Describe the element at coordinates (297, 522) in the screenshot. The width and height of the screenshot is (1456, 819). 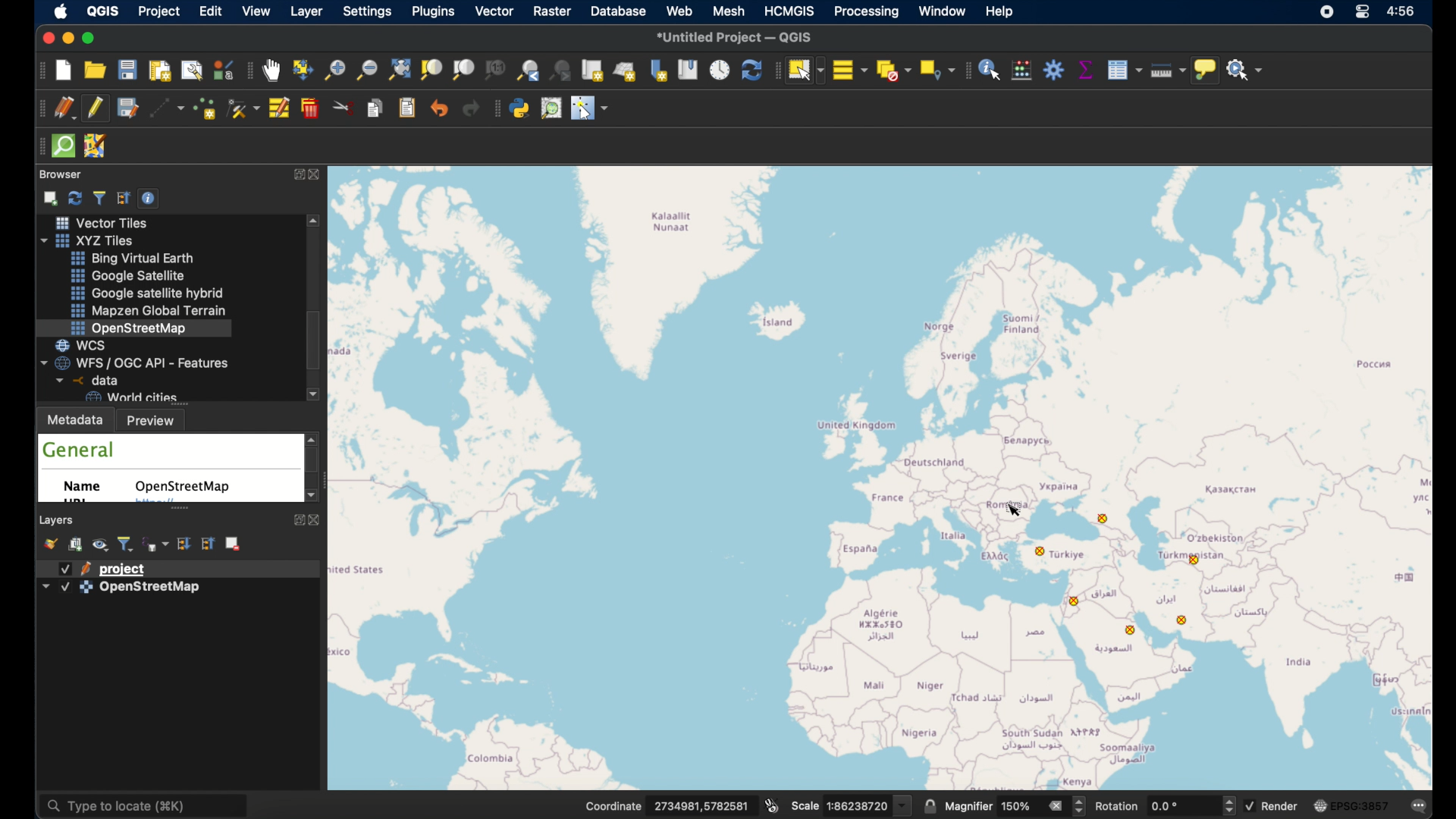
I see `expand` at that location.